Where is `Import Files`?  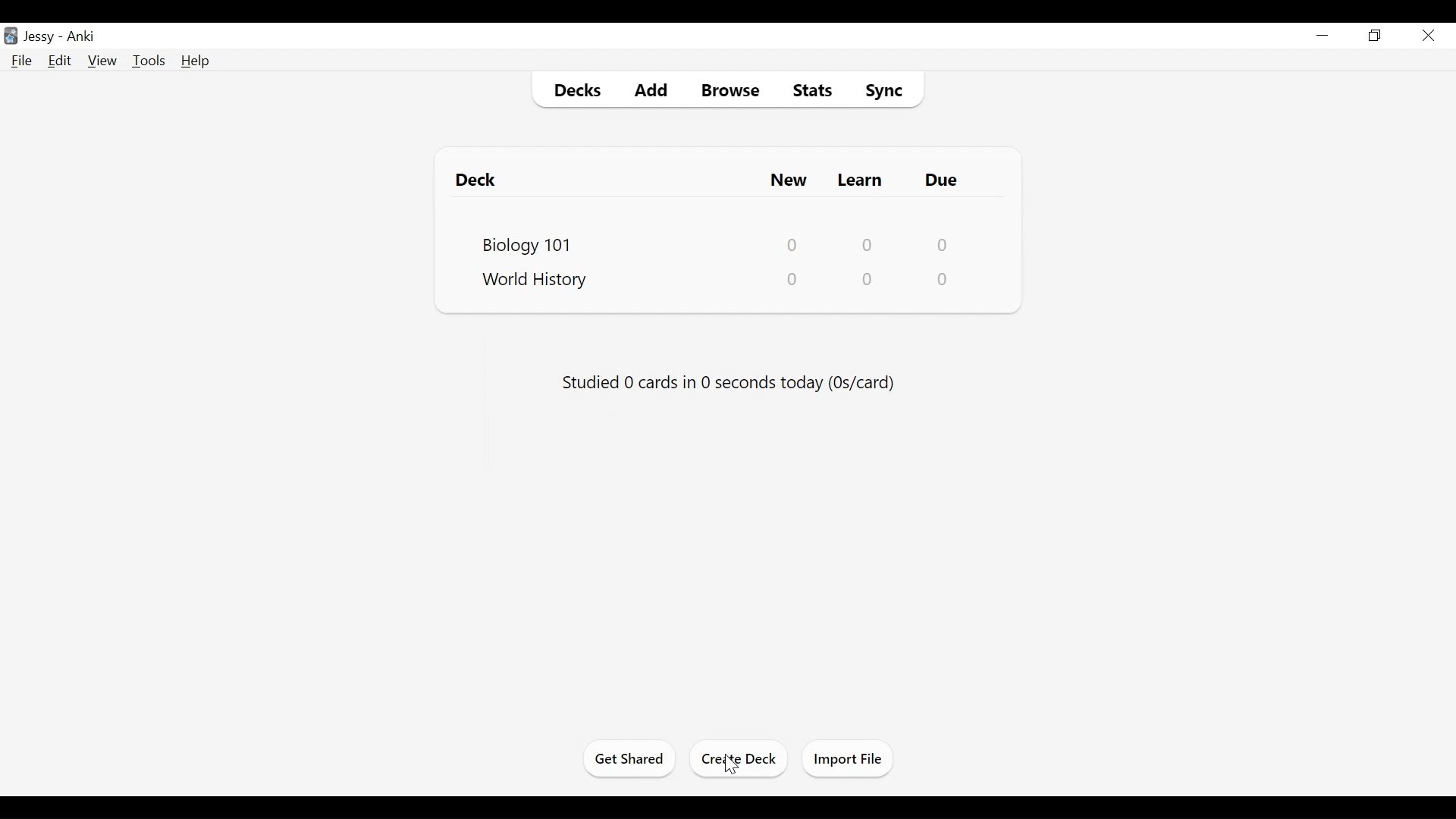
Import Files is located at coordinates (848, 758).